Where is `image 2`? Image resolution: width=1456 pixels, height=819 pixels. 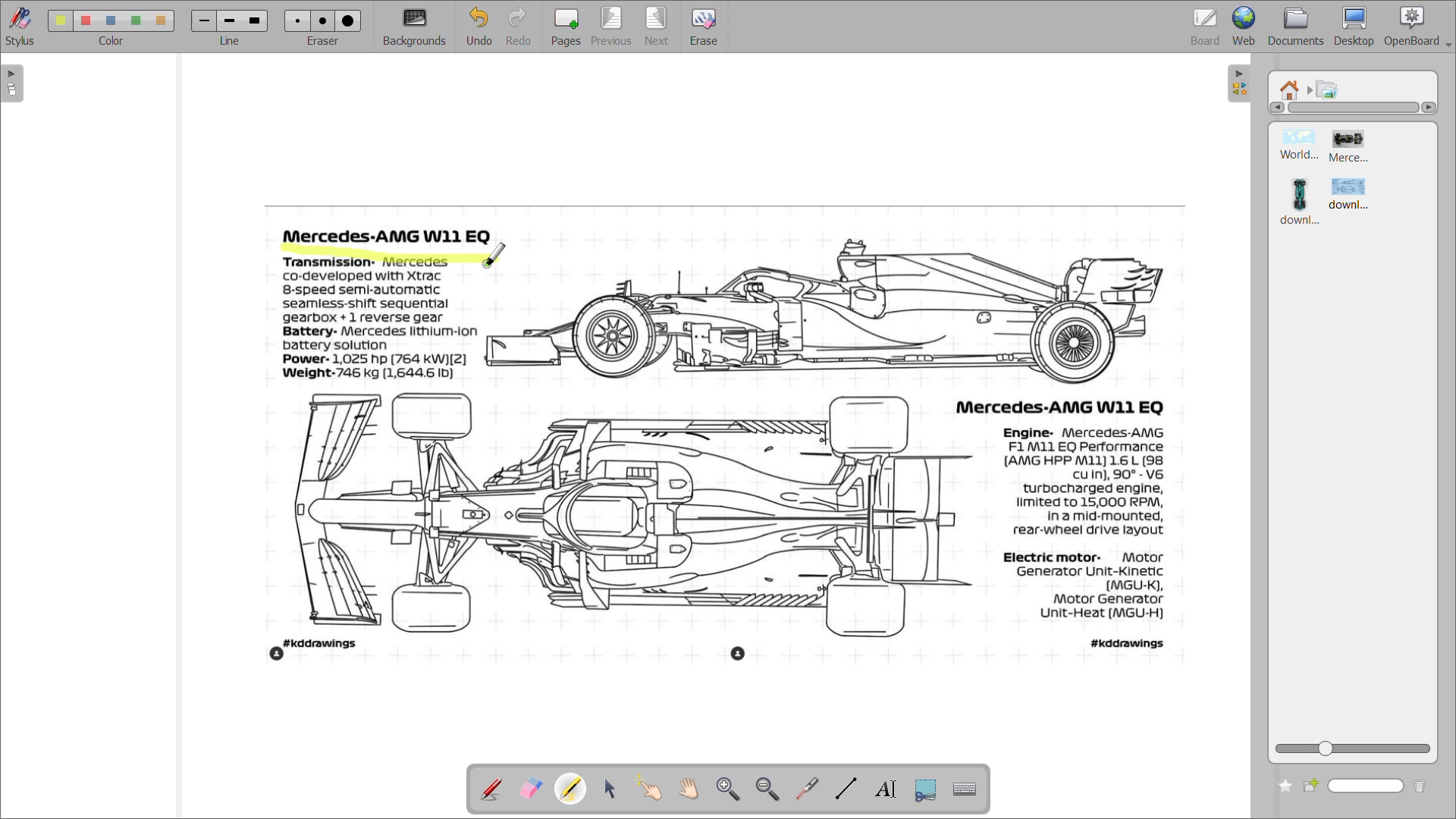
image 2 is located at coordinates (1349, 149).